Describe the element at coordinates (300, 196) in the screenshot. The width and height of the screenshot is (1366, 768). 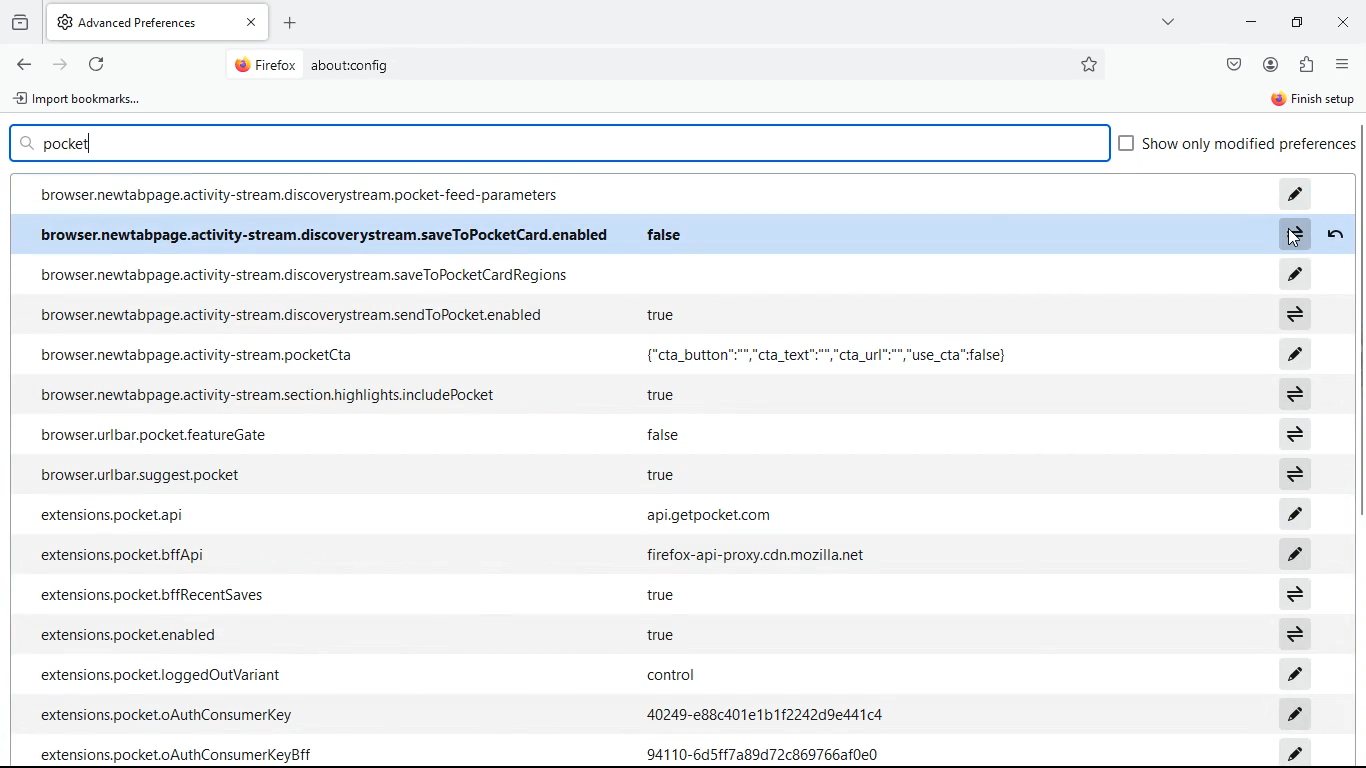
I see `browser.newtabpage.activity-stream.discoverystream.pocket-feed-parameters` at that location.